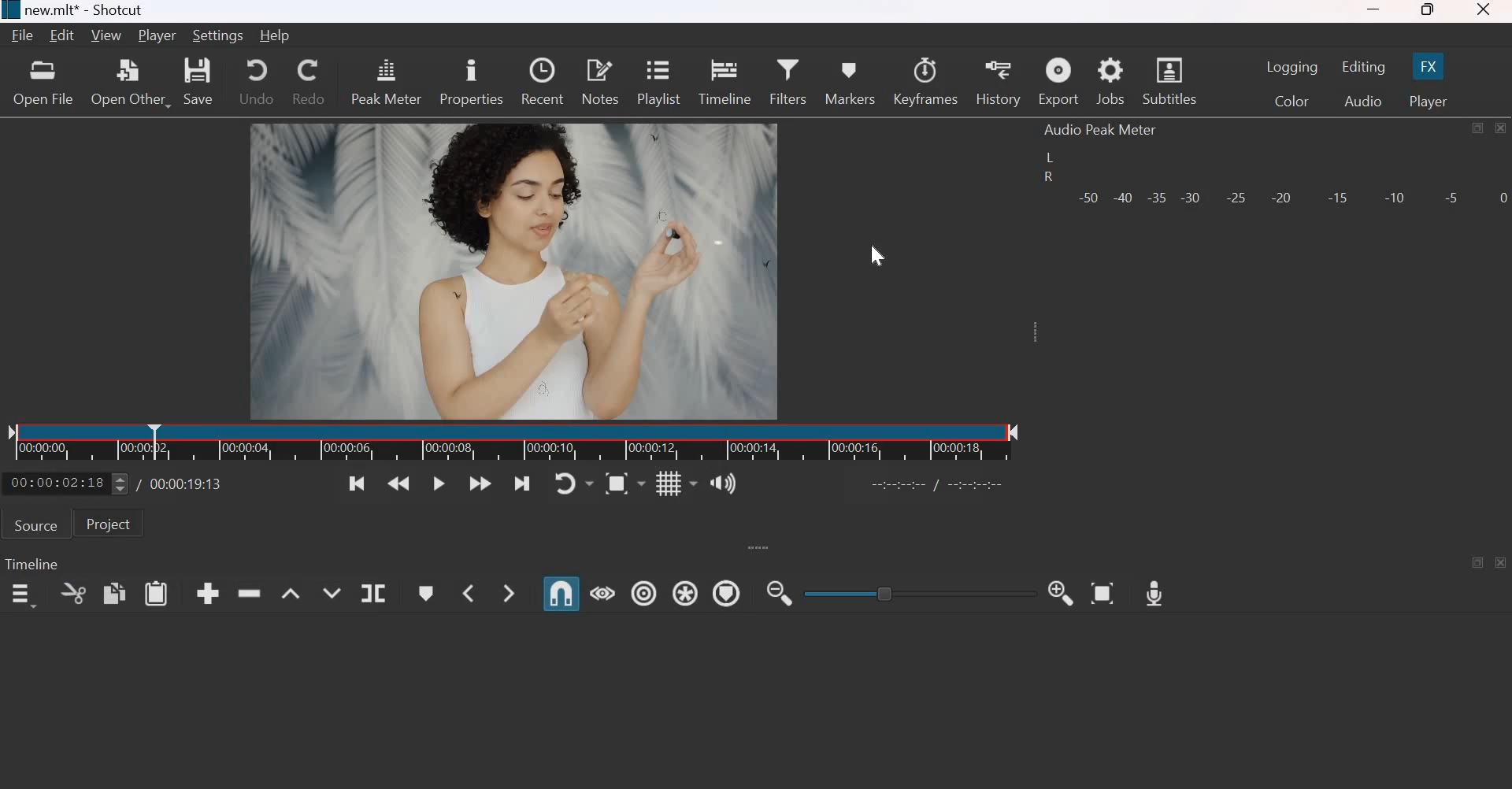 The image size is (1512, 789). What do you see at coordinates (644, 591) in the screenshot?
I see `Ripple` at bounding box center [644, 591].